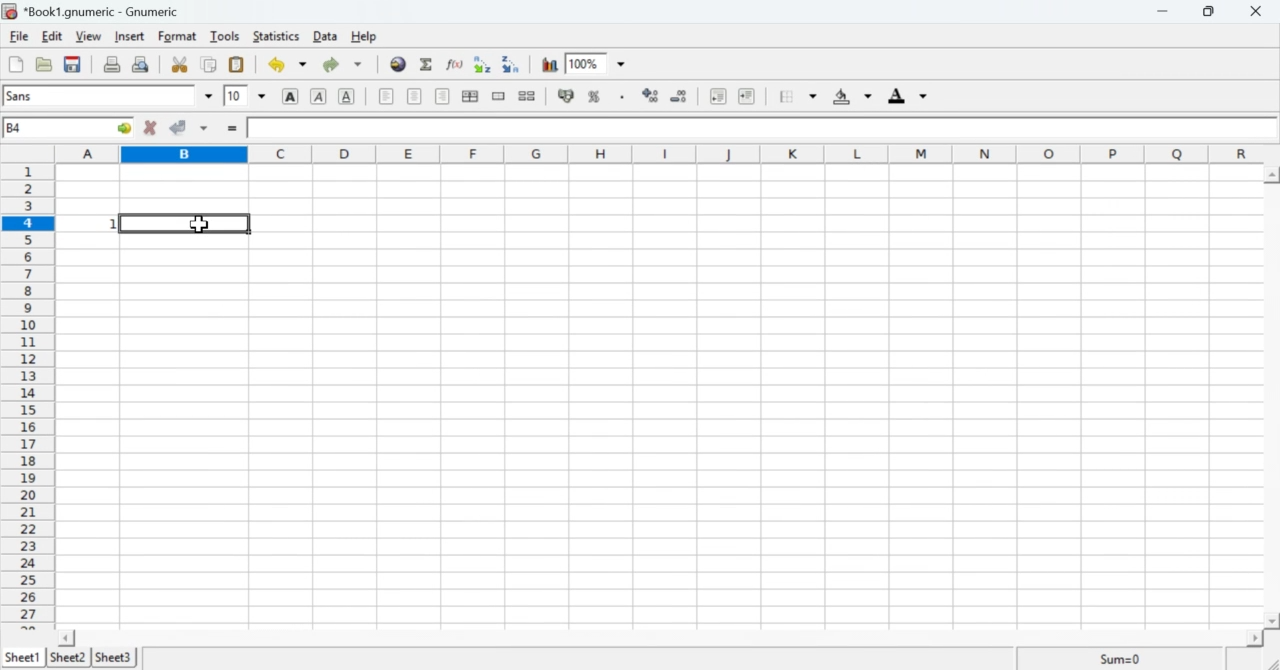 The width and height of the screenshot is (1280, 670). I want to click on Sheet 1, so click(25, 657).